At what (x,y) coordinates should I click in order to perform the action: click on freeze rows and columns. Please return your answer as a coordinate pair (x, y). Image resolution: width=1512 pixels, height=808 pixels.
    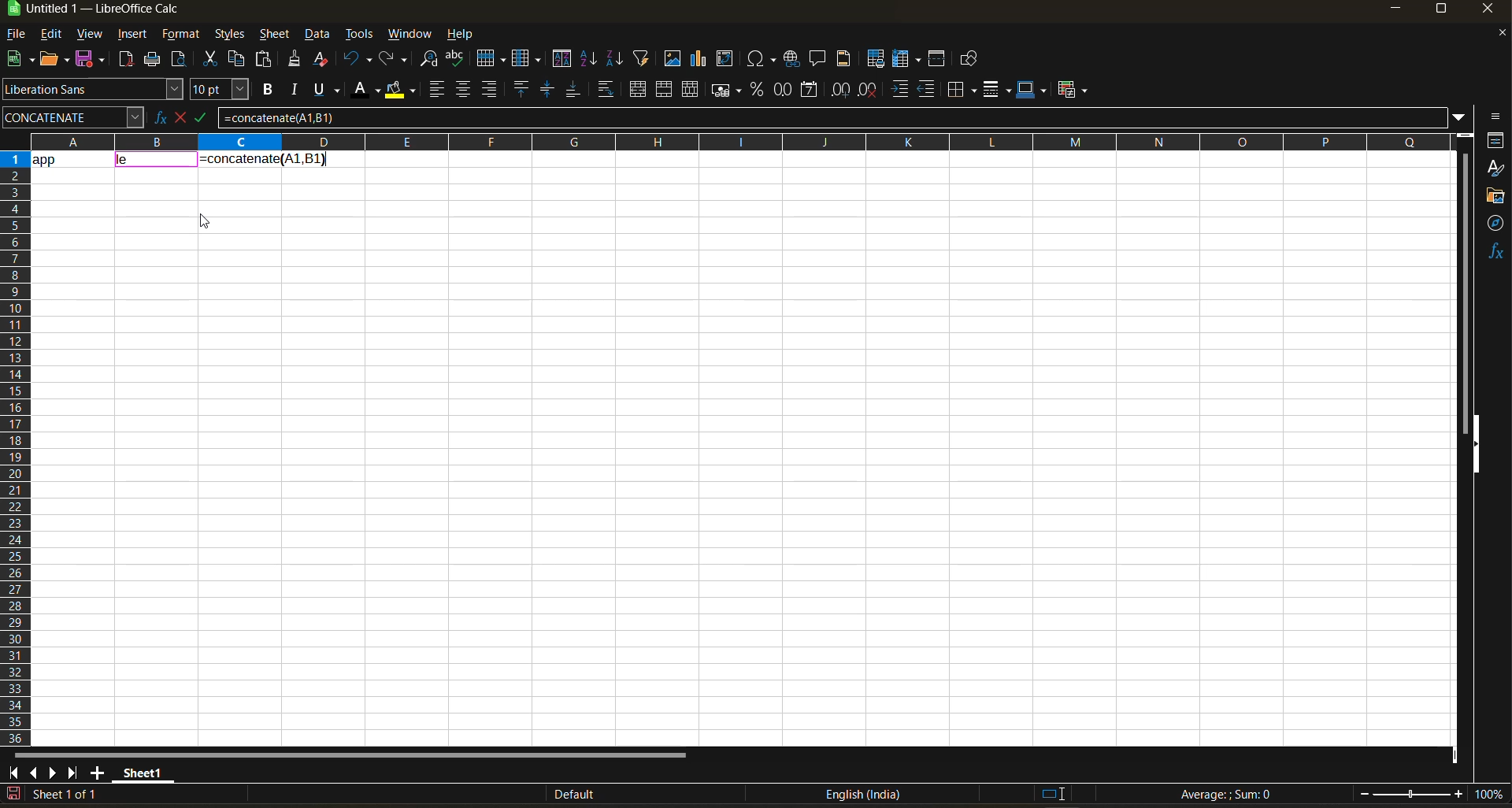
    Looking at the image, I should click on (910, 60).